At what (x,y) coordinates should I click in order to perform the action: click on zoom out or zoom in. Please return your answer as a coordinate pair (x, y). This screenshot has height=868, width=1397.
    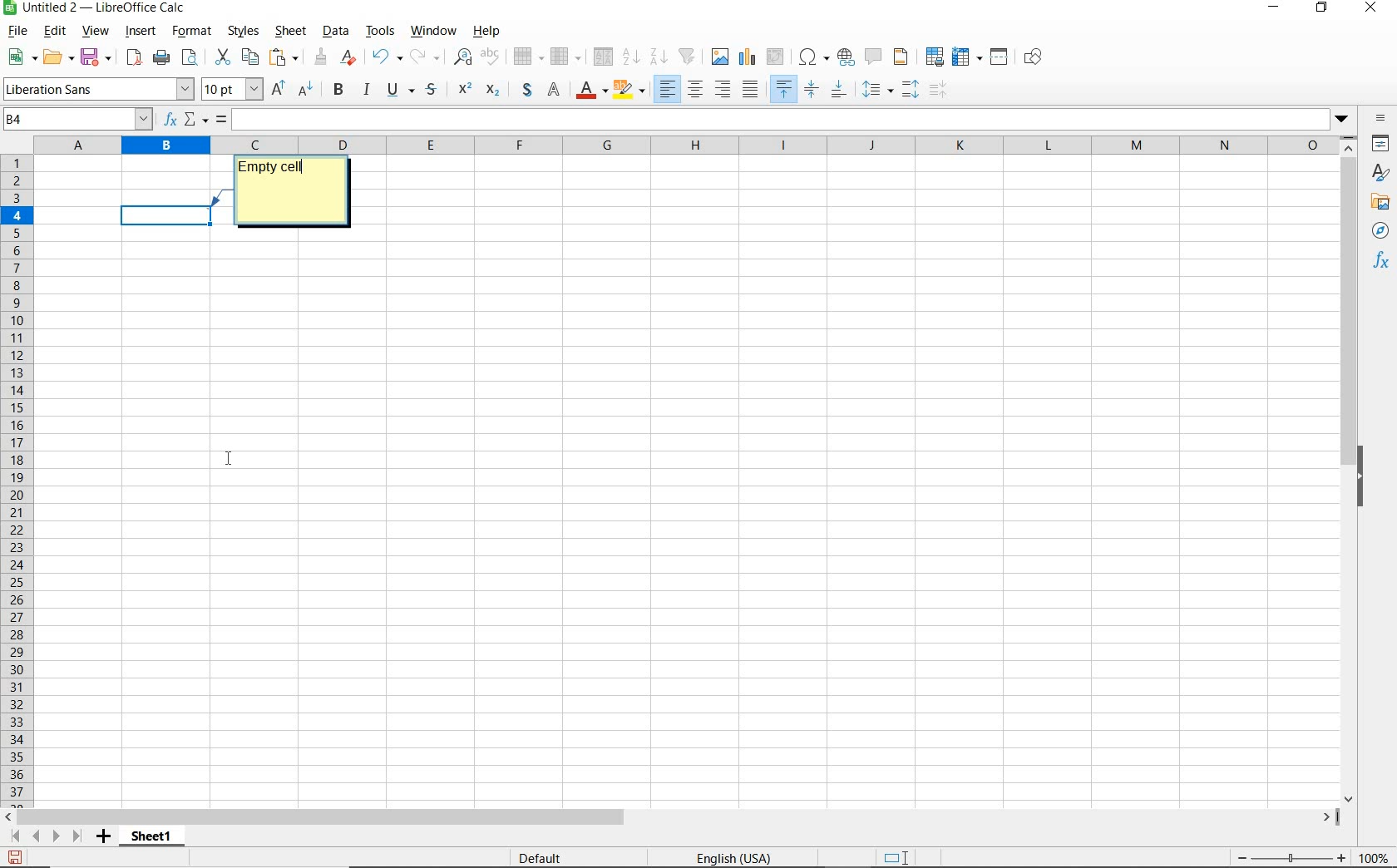
    Looking at the image, I should click on (1290, 856).